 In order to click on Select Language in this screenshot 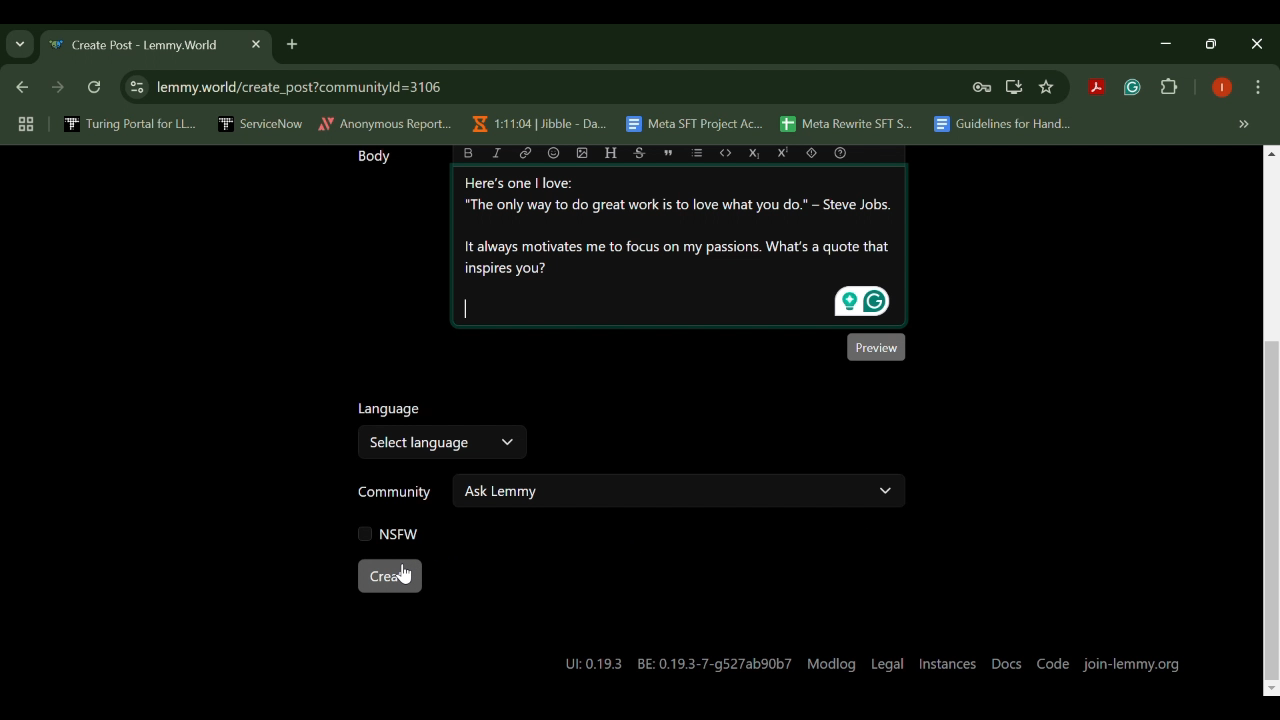, I will do `click(443, 446)`.